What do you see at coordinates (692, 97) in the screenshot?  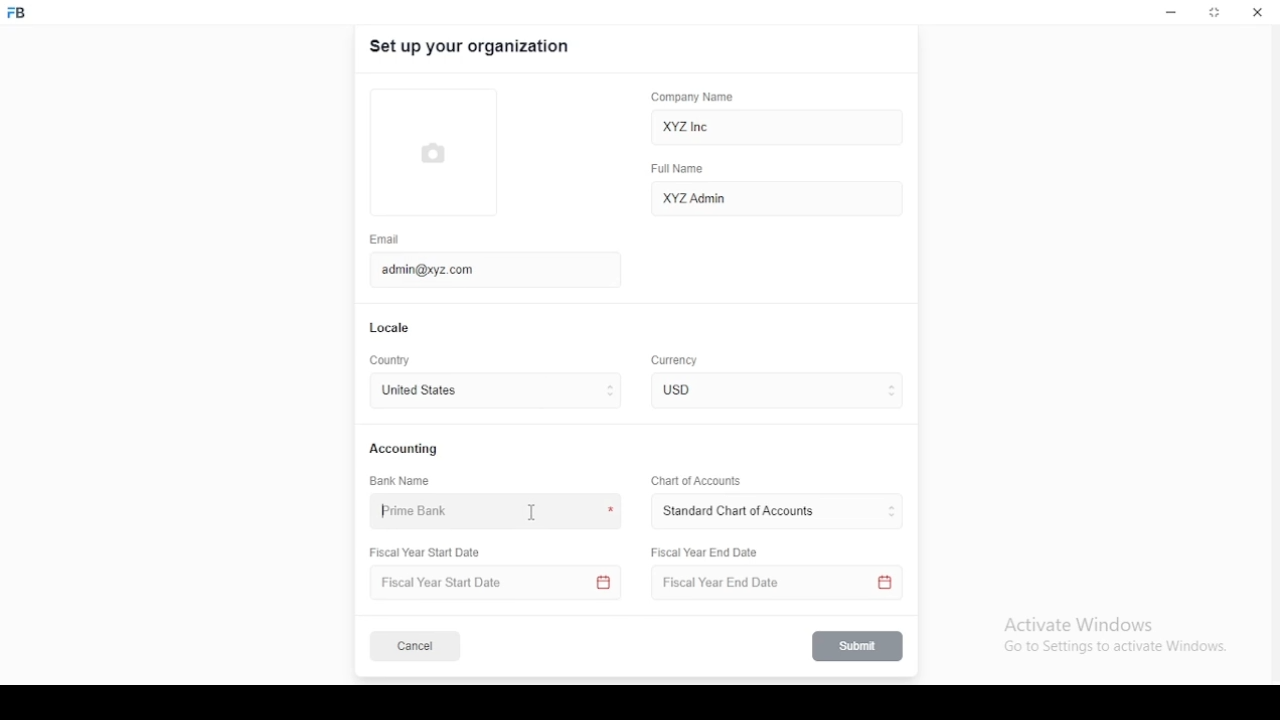 I see `company name` at bounding box center [692, 97].